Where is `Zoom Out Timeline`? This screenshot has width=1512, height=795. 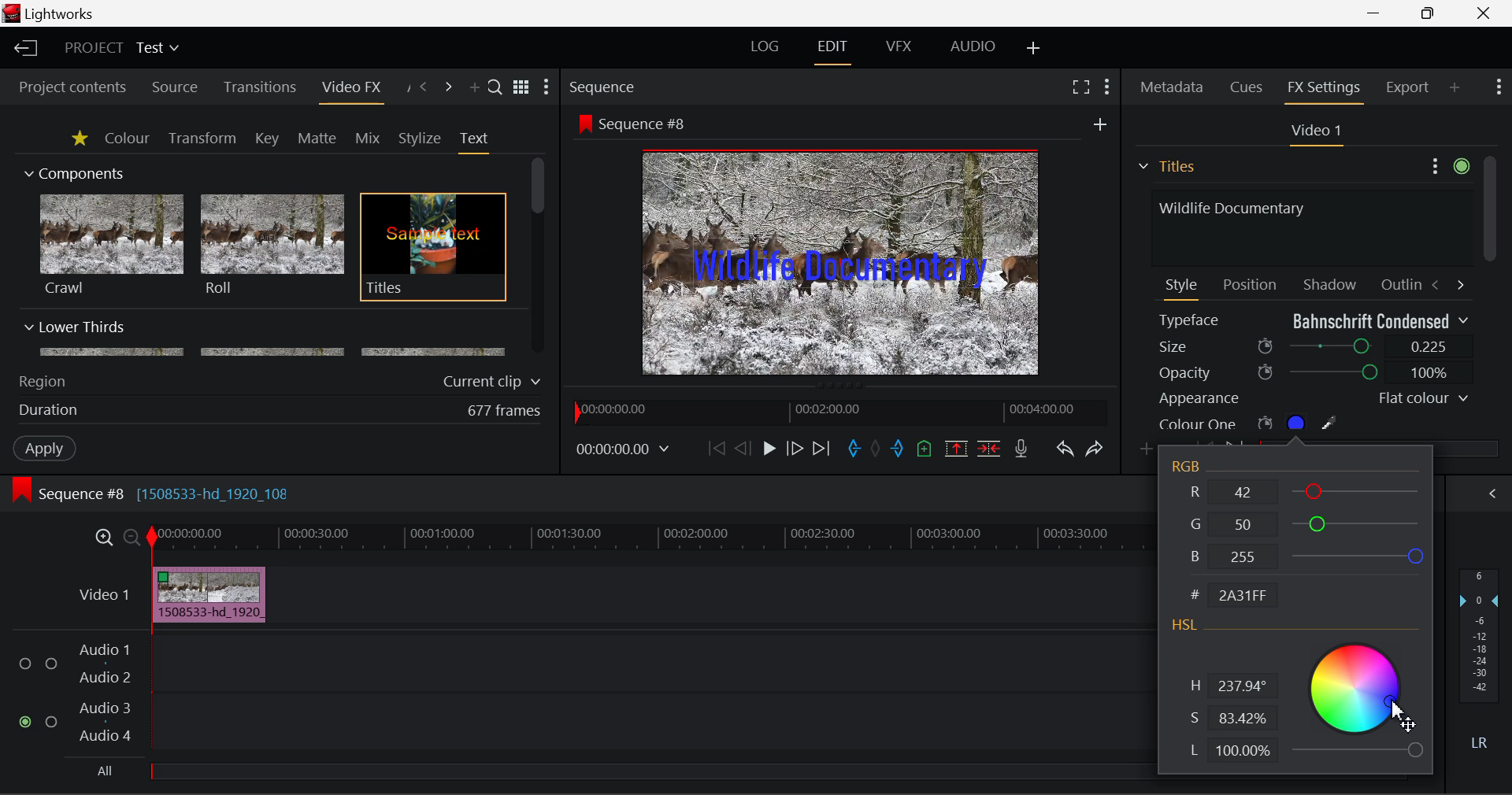
Zoom Out Timeline is located at coordinates (132, 539).